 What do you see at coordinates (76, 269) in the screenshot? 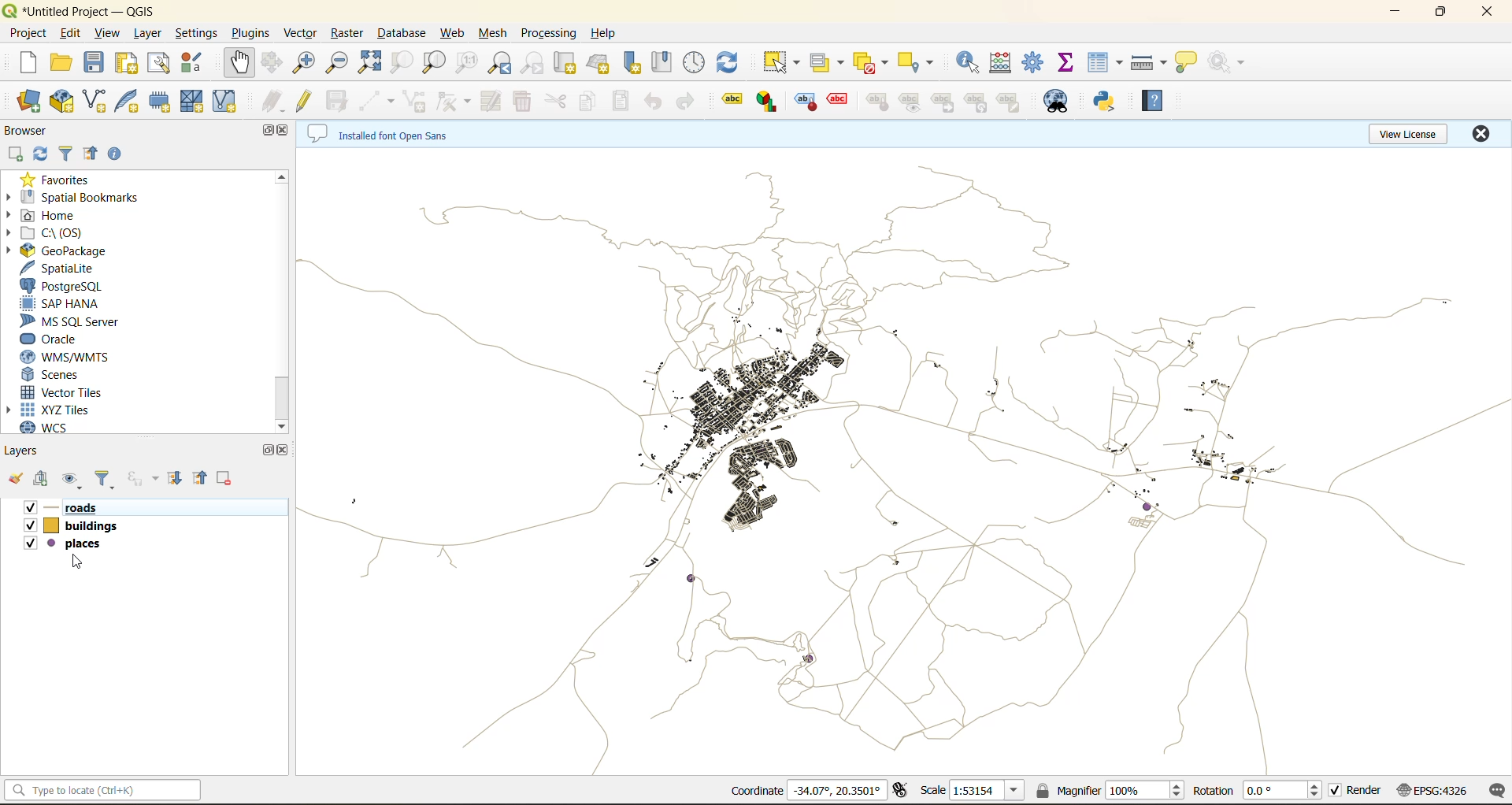
I see `spatialite` at bounding box center [76, 269].